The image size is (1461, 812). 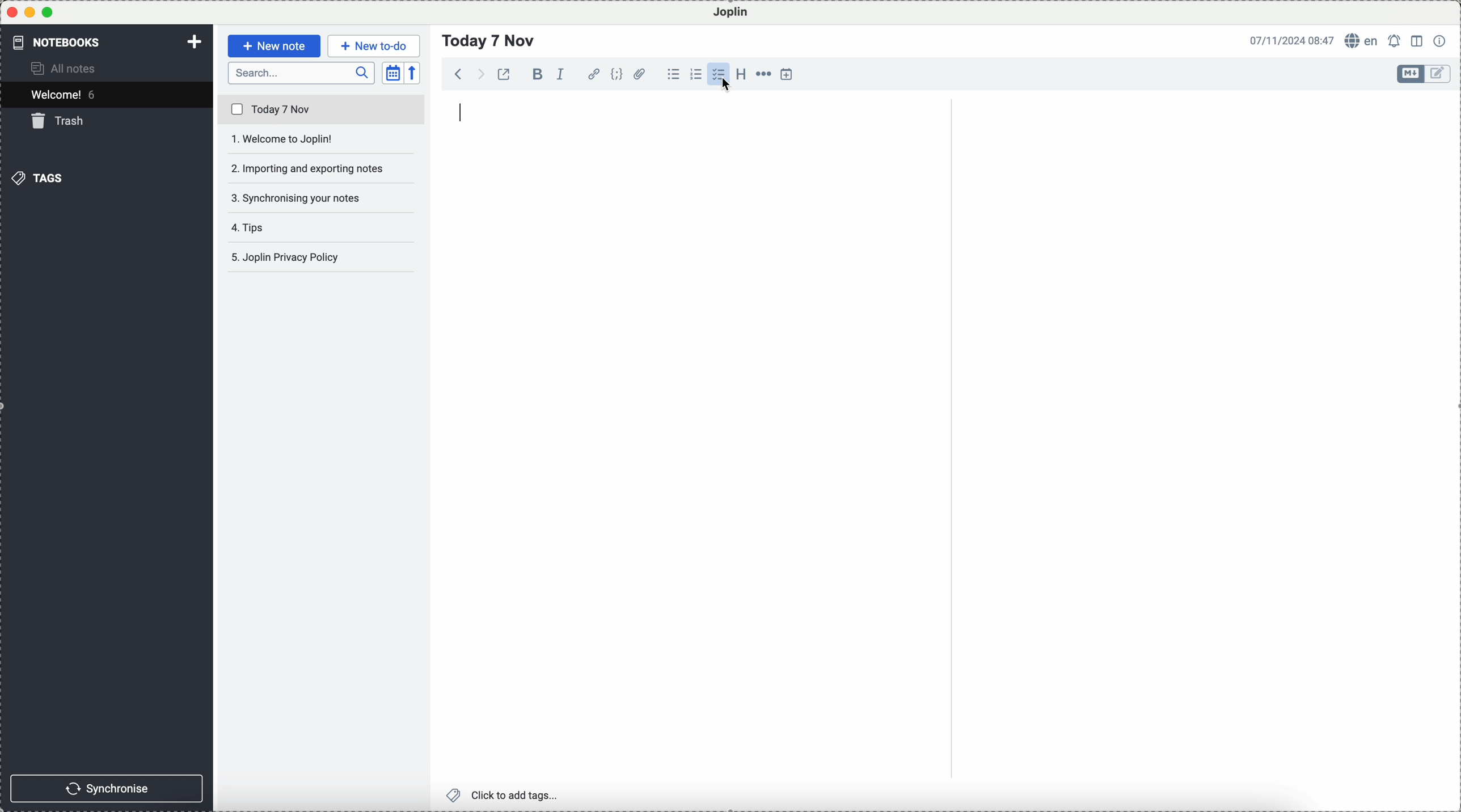 I want to click on synchronising your notes, so click(x=322, y=200).